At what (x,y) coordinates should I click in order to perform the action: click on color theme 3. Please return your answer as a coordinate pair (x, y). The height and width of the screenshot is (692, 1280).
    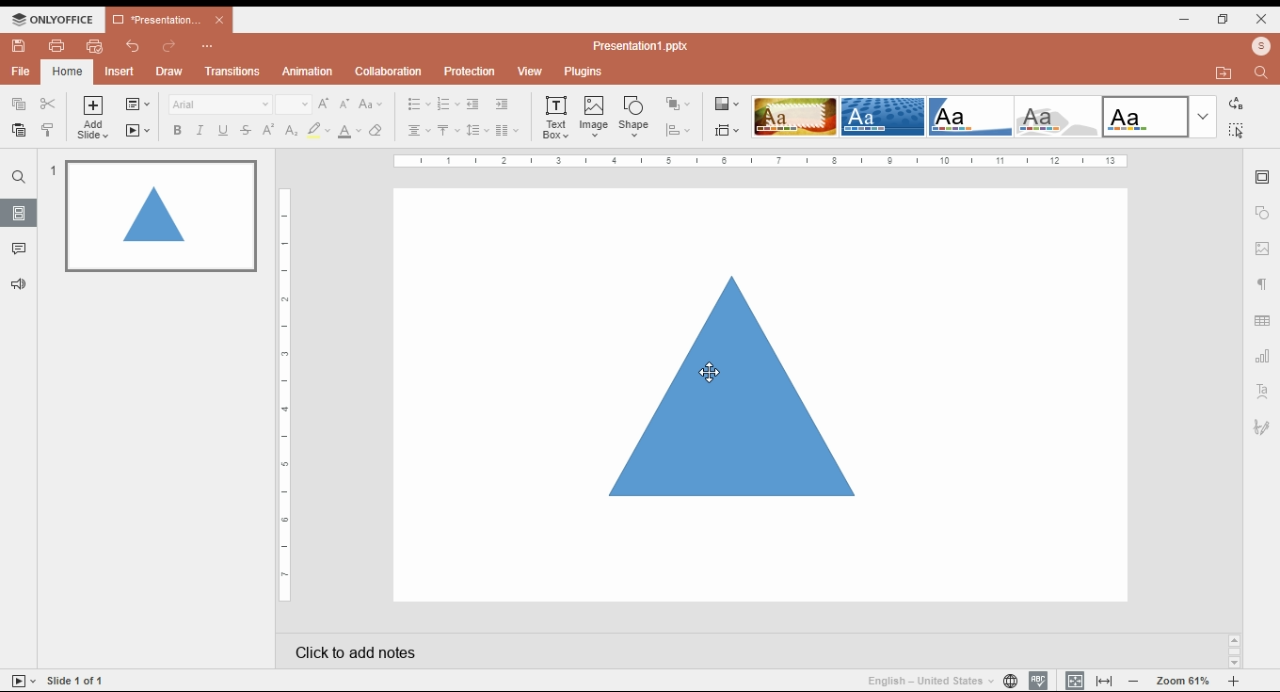
    Looking at the image, I should click on (971, 117).